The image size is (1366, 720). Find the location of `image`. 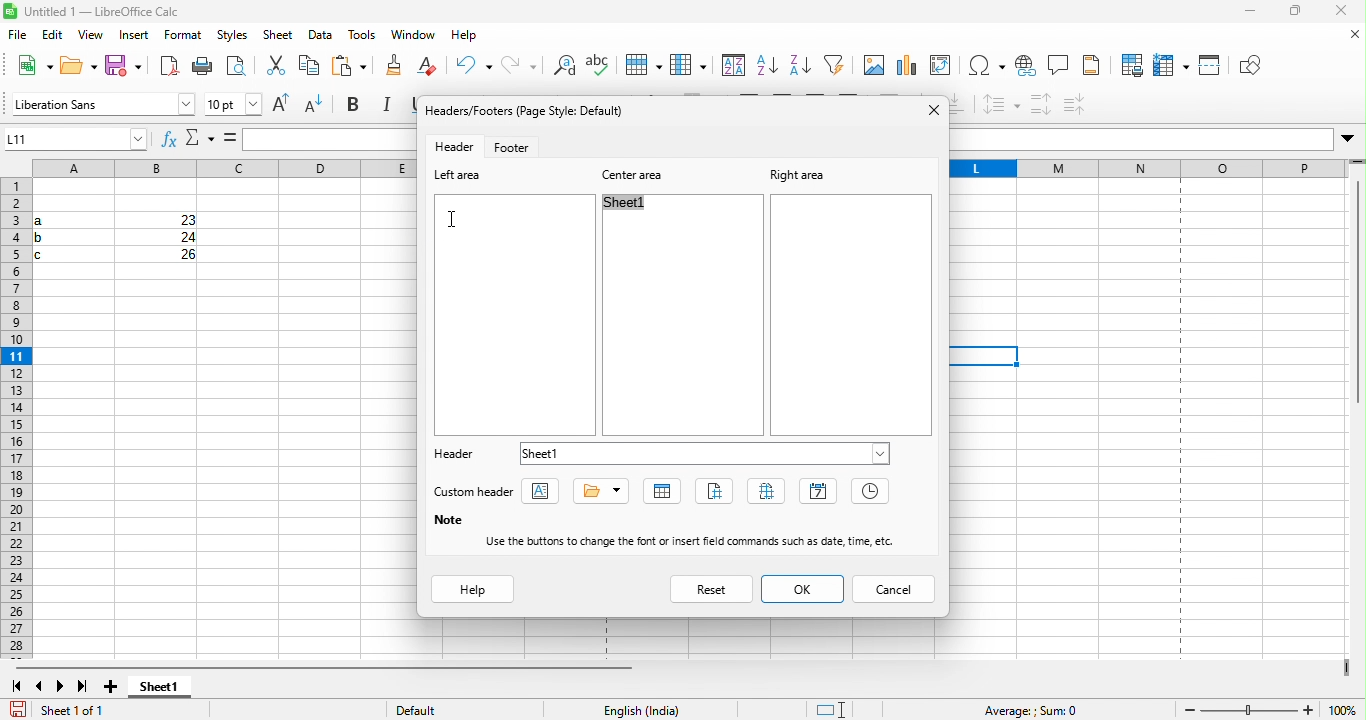

image is located at coordinates (835, 66).